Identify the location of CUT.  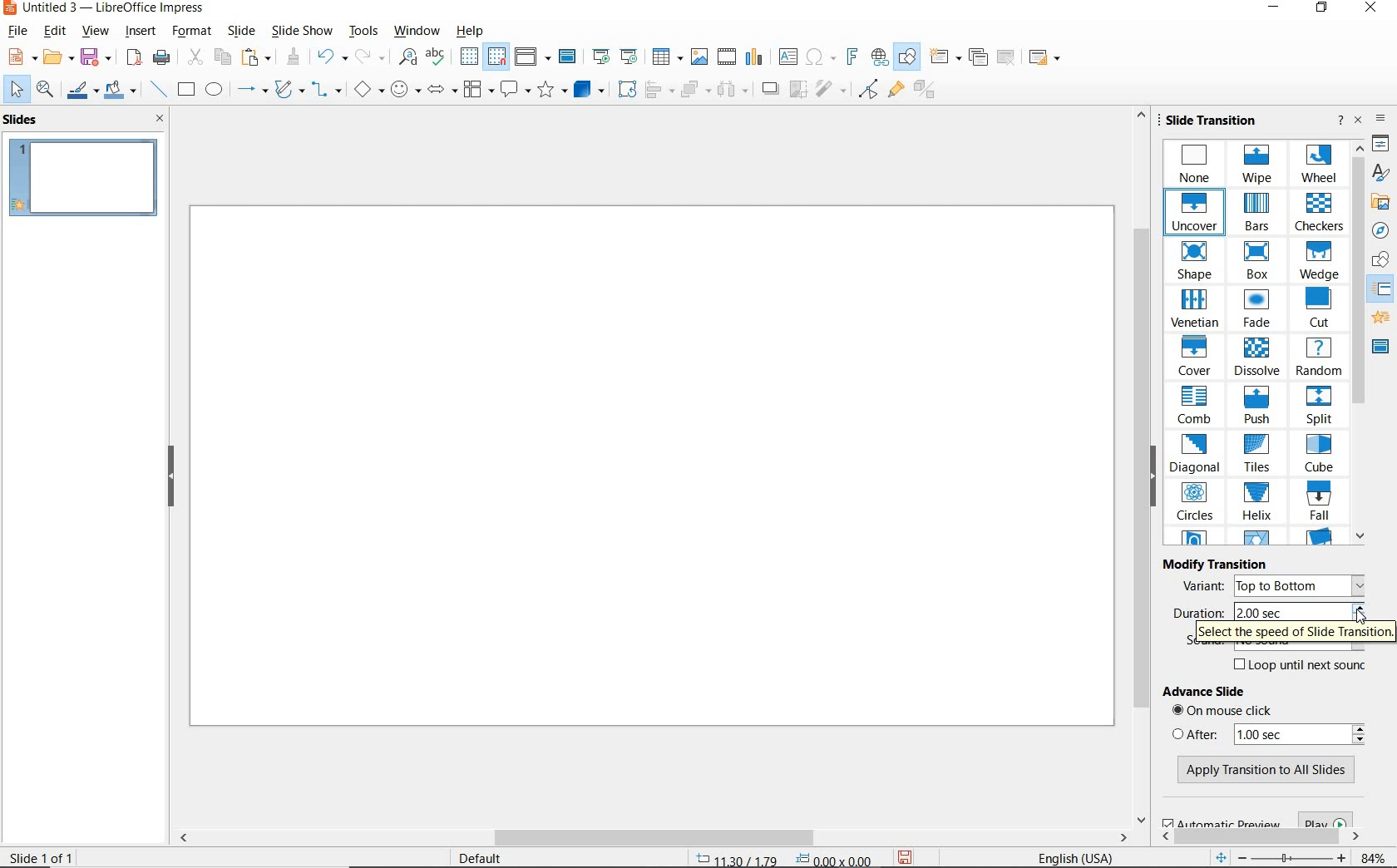
(1317, 309).